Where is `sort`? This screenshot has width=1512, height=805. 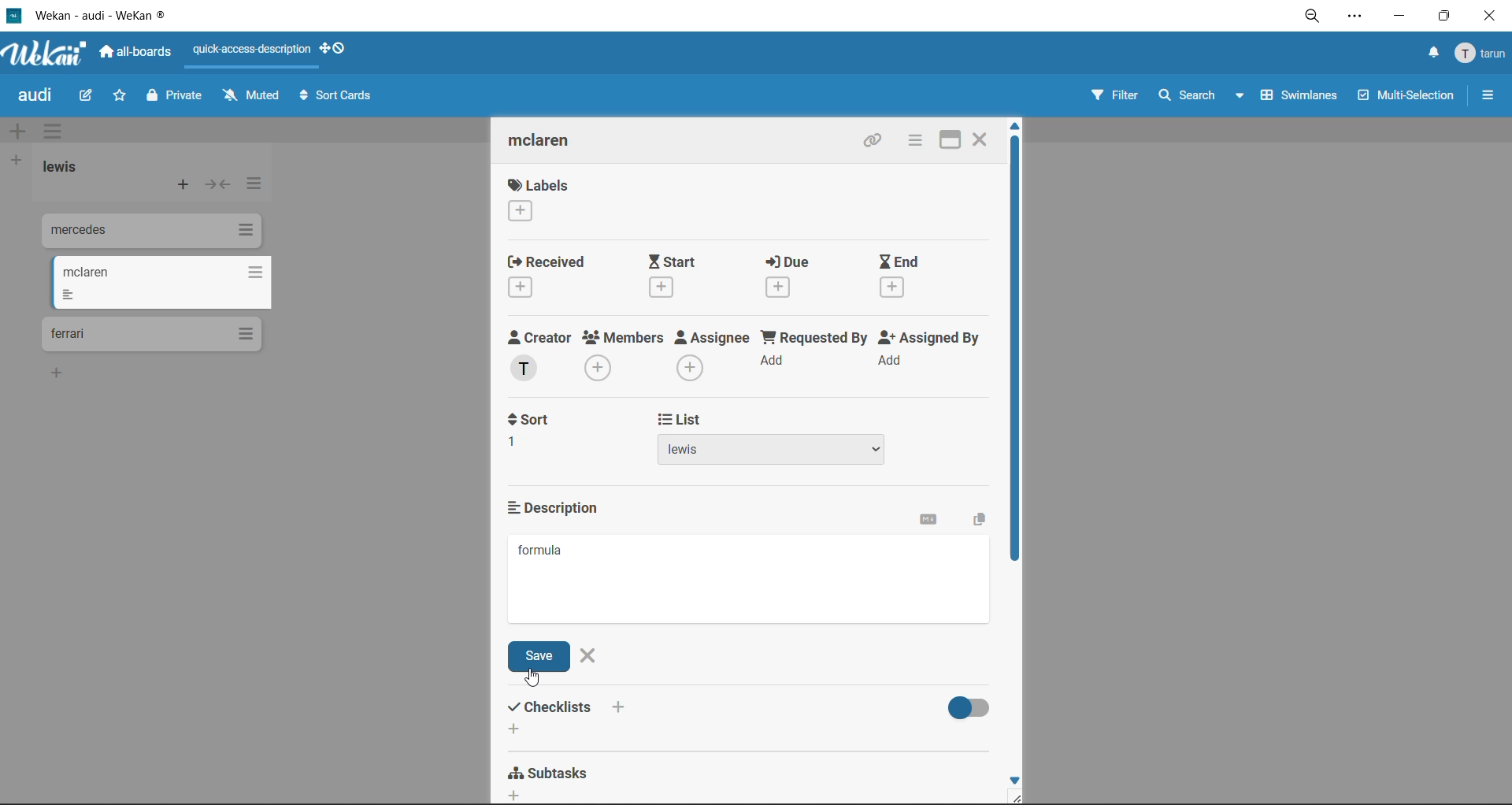 sort is located at coordinates (539, 431).